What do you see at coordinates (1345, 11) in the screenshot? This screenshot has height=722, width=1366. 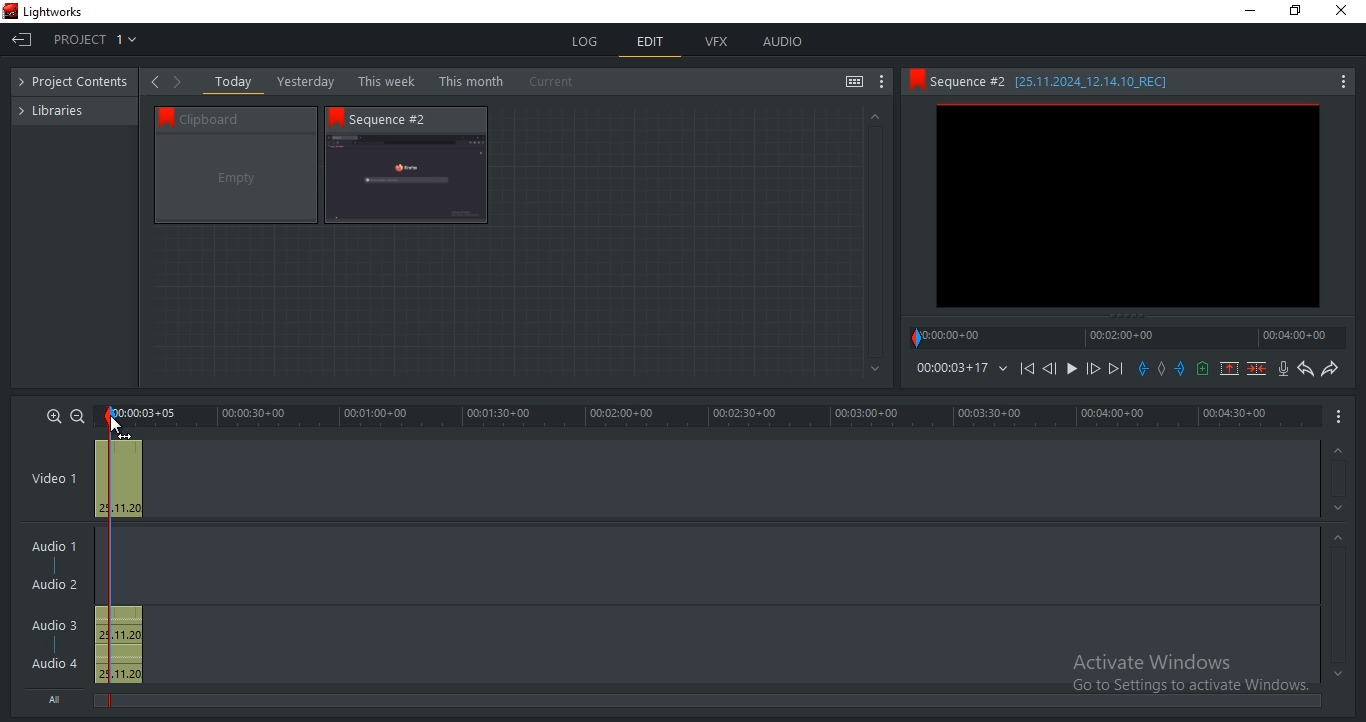 I see `Close` at bounding box center [1345, 11].